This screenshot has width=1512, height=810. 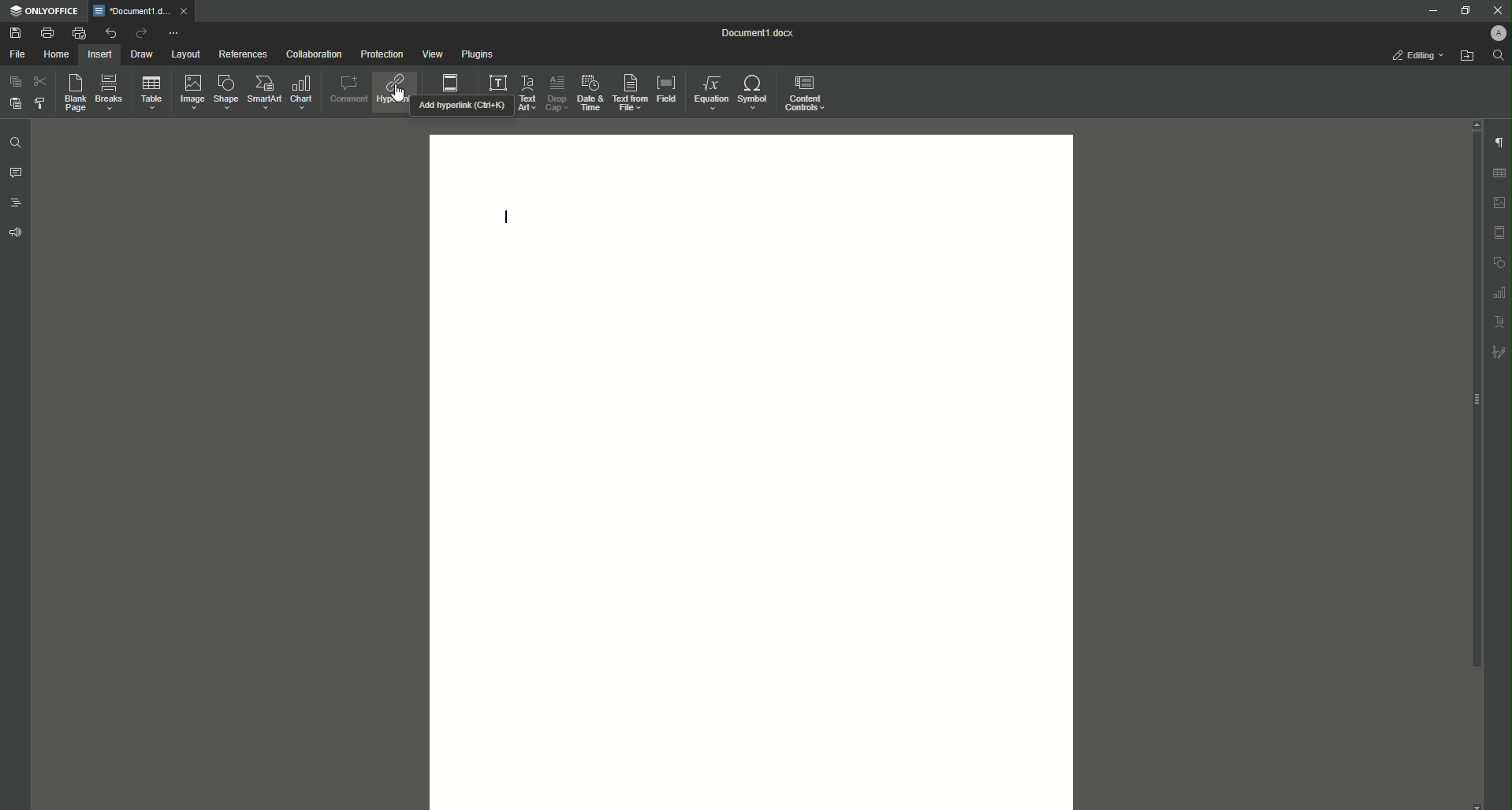 What do you see at coordinates (1501, 351) in the screenshot?
I see `Signature settings` at bounding box center [1501, 351].